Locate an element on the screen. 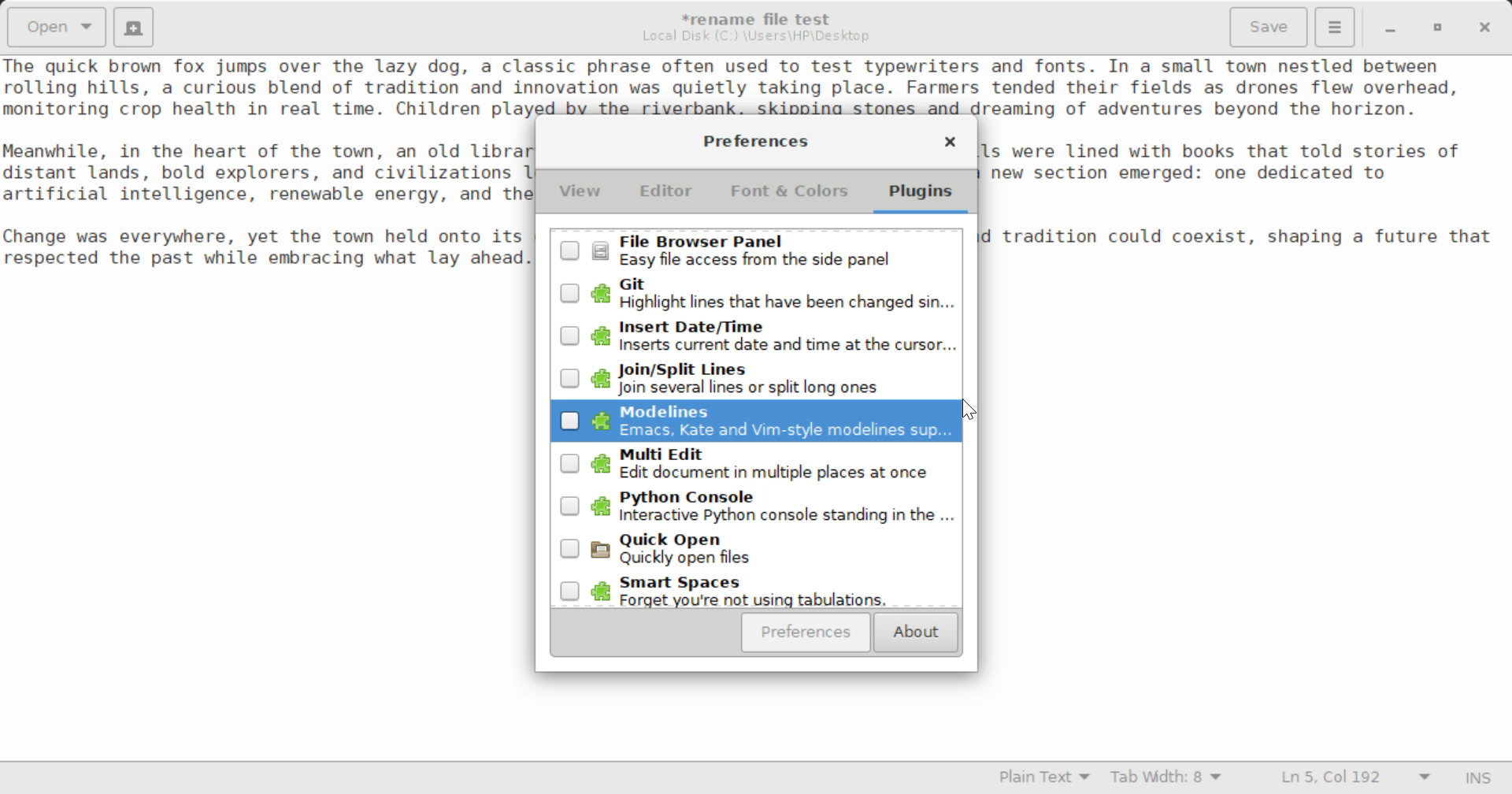 This screenshot has width=1512, height=794. Font & Colors Tab is located at coordinates (789, 197).